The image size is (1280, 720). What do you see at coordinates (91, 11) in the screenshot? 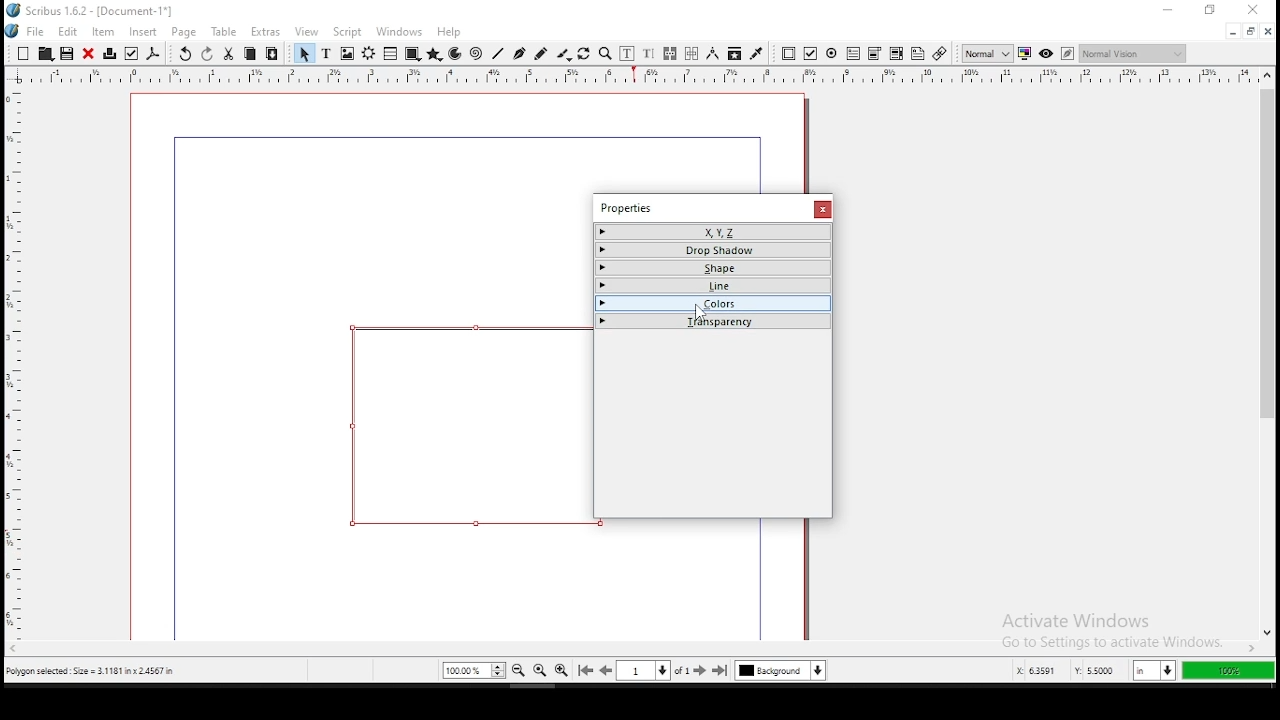
I see `icon and file name` at bounding box center [91, 11].